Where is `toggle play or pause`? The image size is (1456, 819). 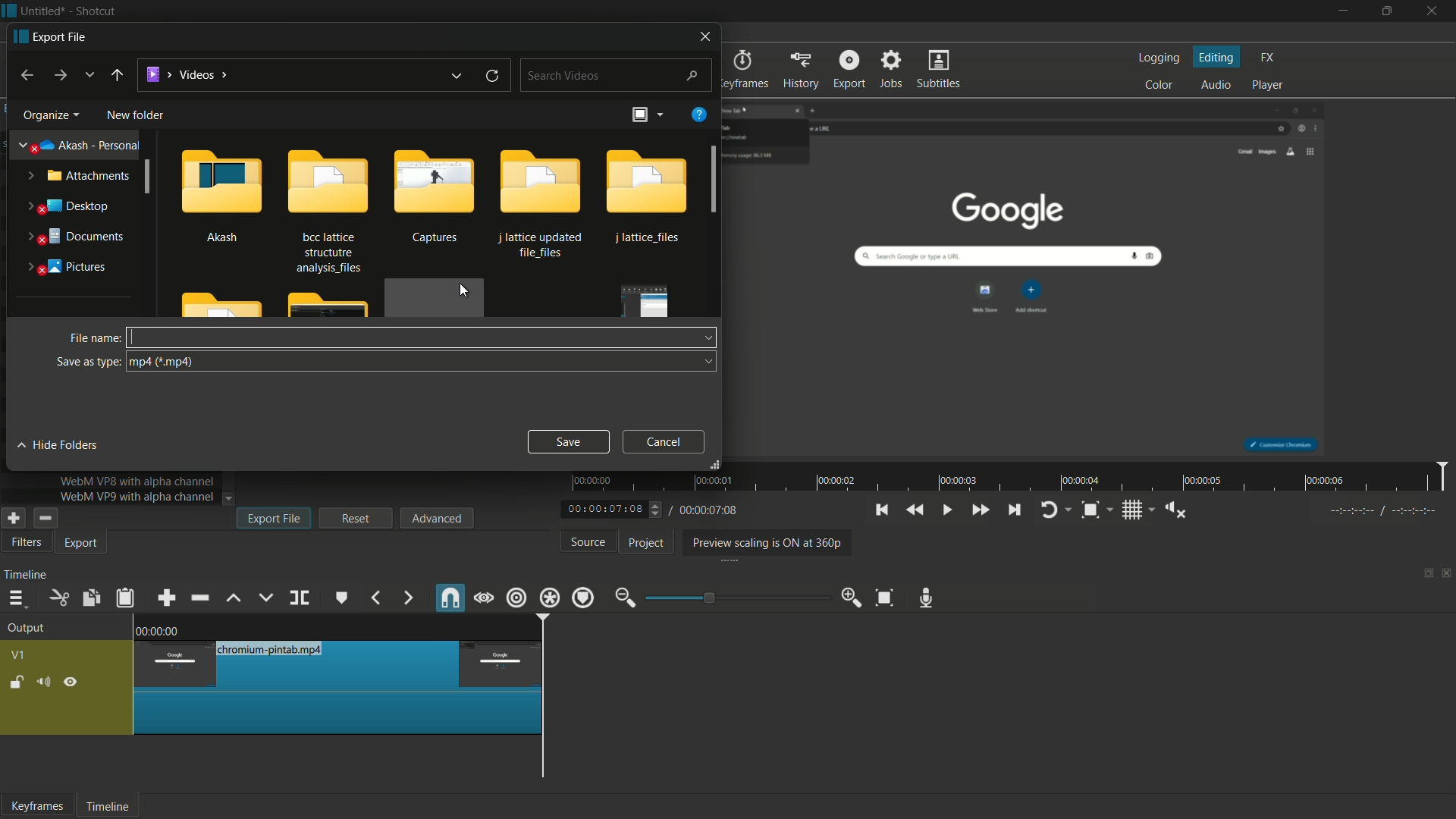 toggle play or pause is located at coordinates (946, 509).